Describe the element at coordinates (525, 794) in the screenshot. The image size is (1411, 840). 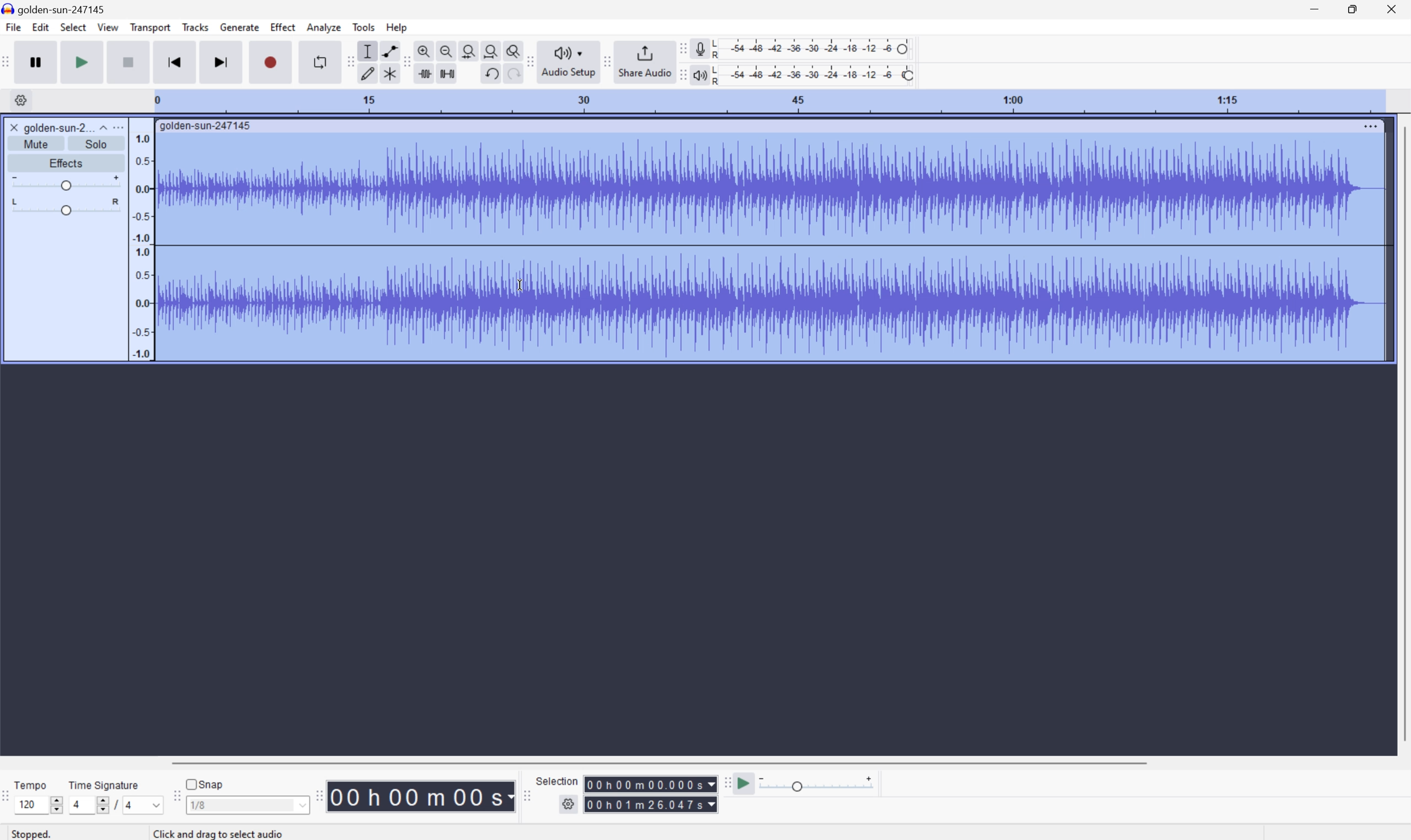
I see `Audacity selection toolbar` at that location.